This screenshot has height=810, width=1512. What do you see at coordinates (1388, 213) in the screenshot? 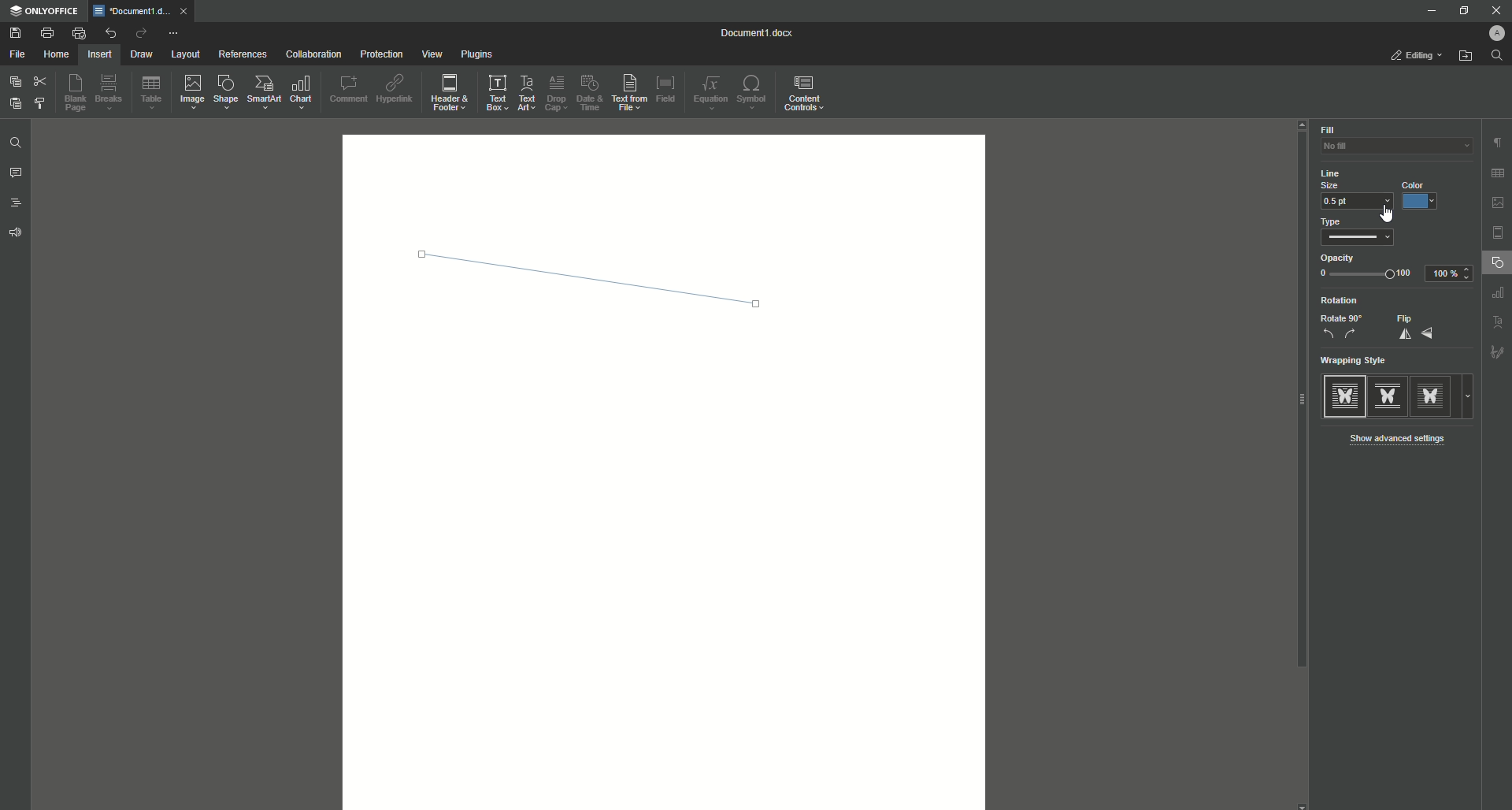
I see `pointer` at bounding box center [1388, 213].